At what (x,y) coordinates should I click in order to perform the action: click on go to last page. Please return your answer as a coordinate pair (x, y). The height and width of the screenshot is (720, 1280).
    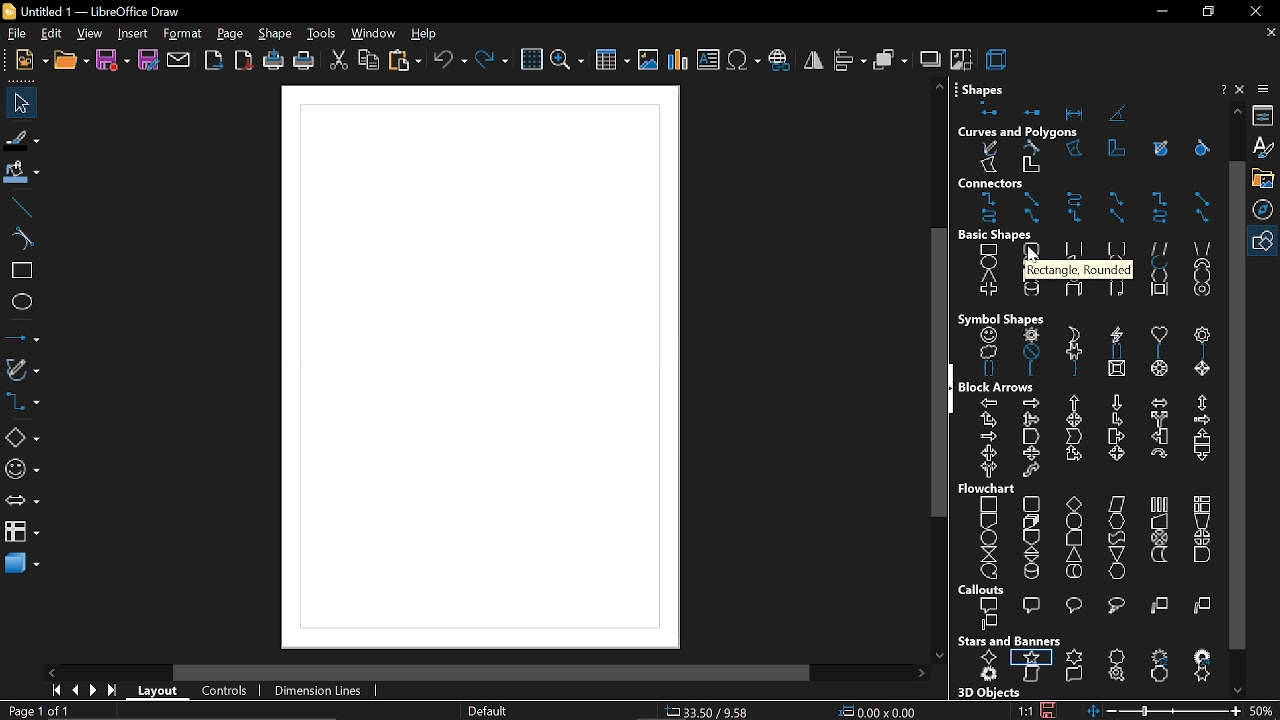
    Looking at the image, I should click on (114, 692).